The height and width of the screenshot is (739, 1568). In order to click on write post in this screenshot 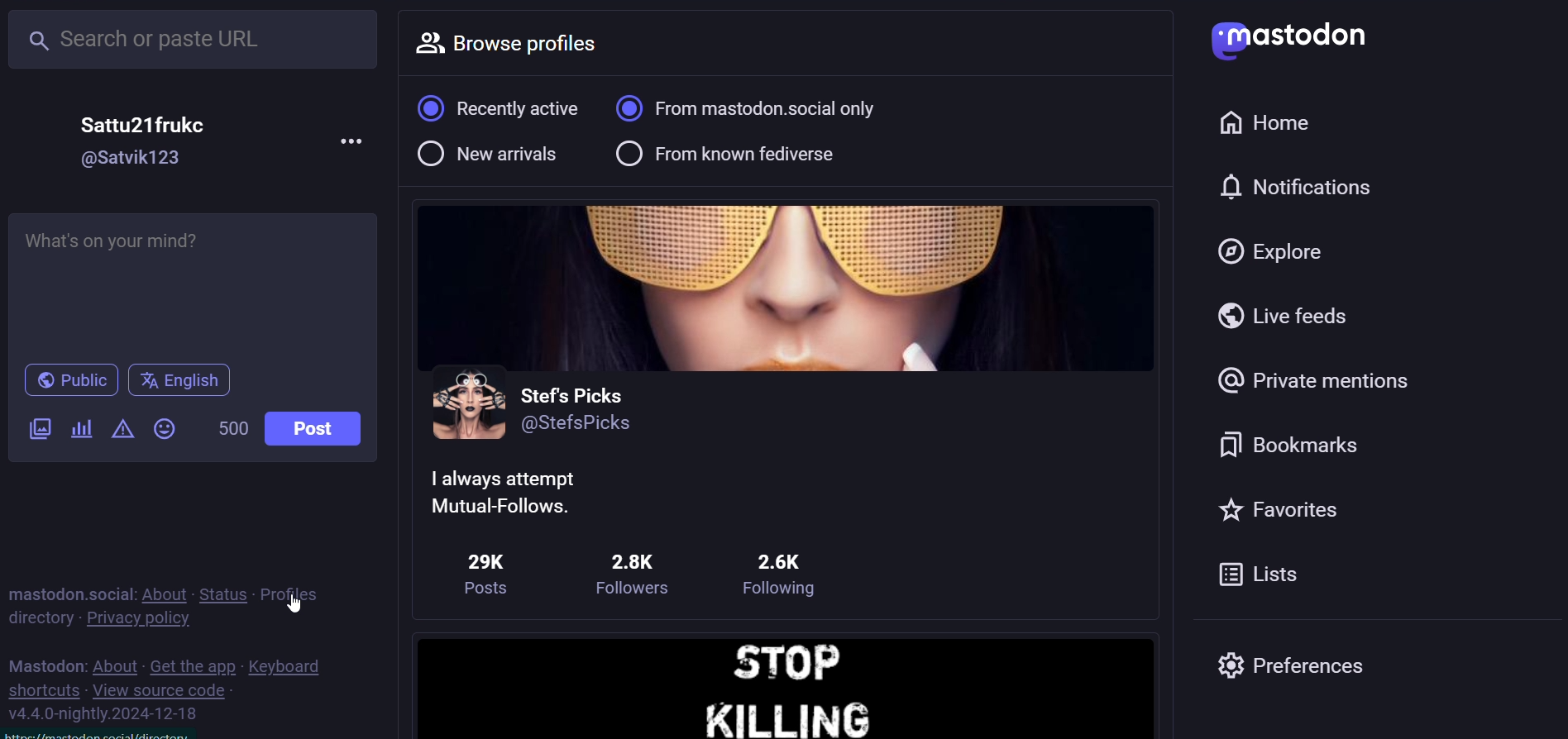, I will do `click(187, 282)`.